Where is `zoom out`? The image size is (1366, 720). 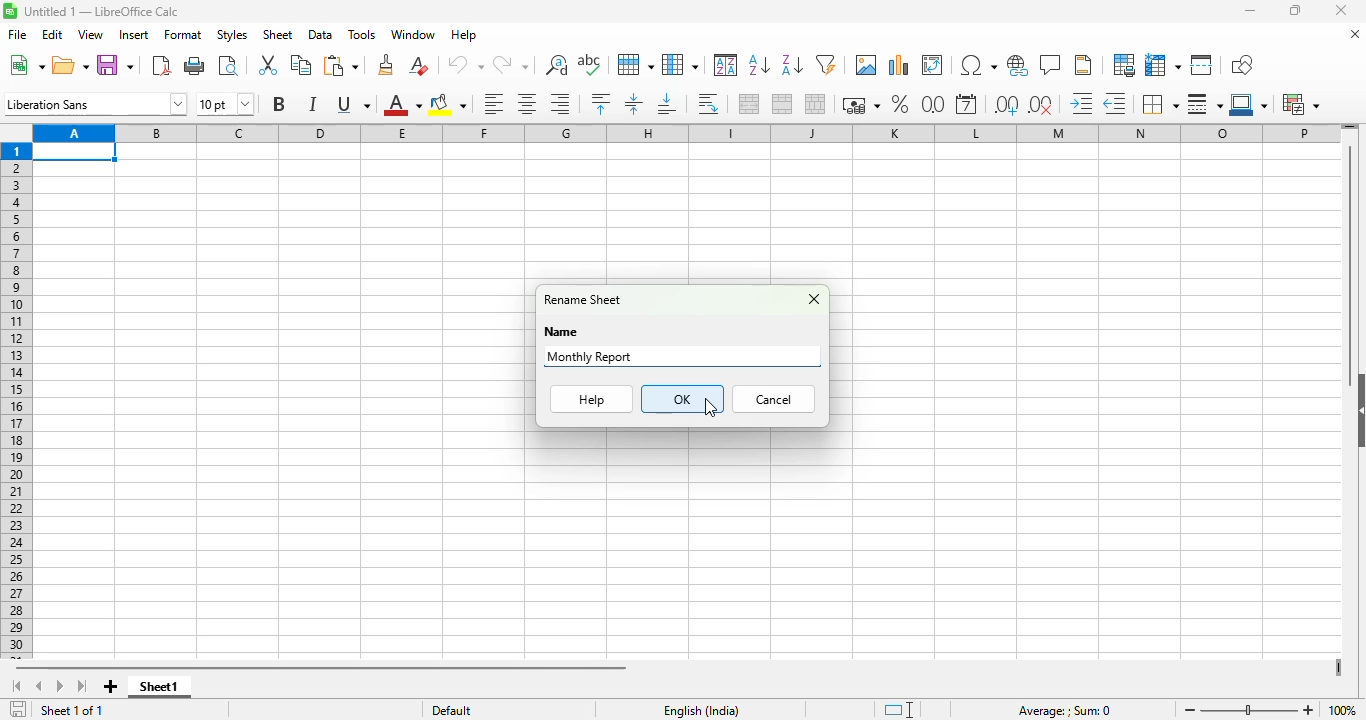
zoom out is located at coordinates (1190, 710).